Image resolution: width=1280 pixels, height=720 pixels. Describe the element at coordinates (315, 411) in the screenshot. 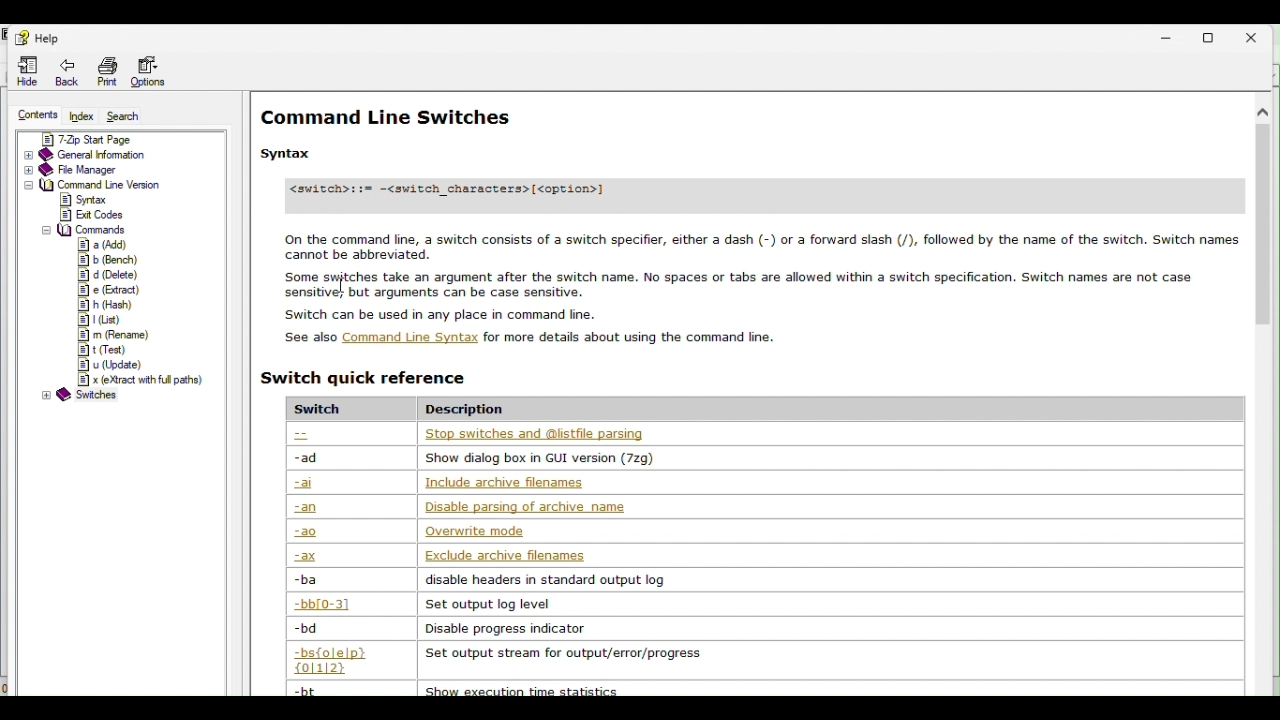

I see `switch` at that location.